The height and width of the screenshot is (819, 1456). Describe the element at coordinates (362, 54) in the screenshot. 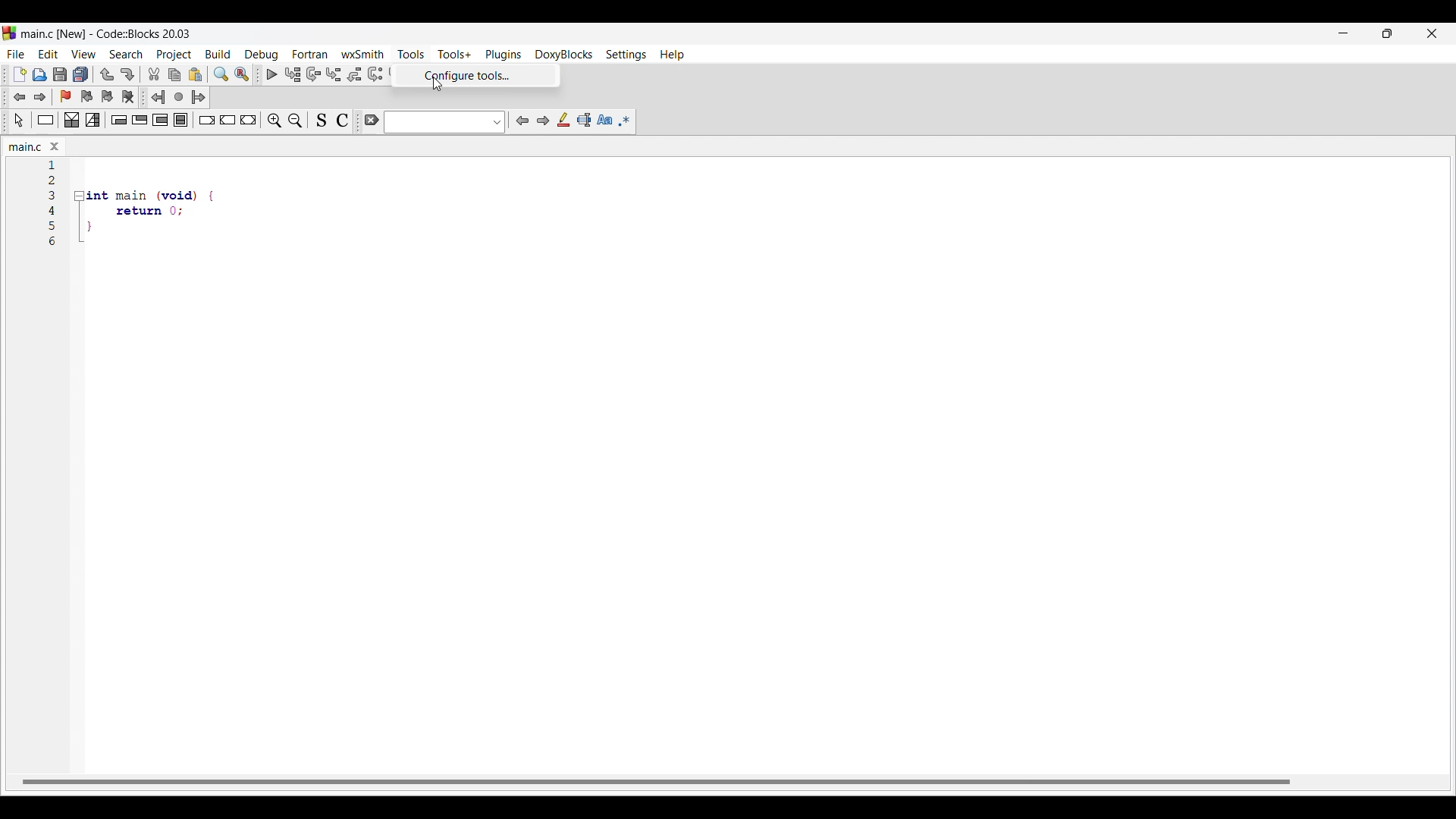

I see `wxSmith menu` at that location.